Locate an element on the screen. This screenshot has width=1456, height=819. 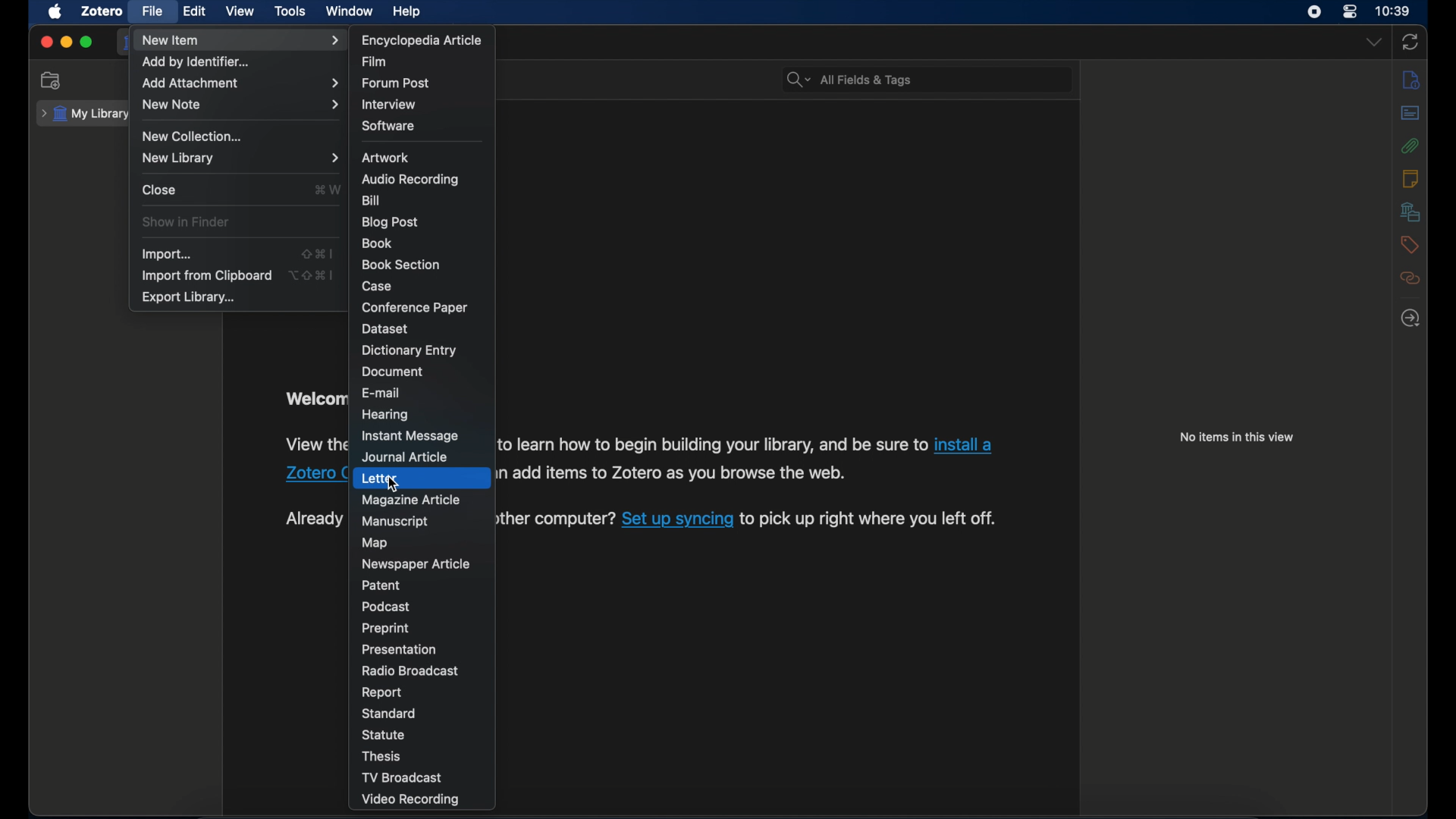
report is located at coordinates (383, 693).